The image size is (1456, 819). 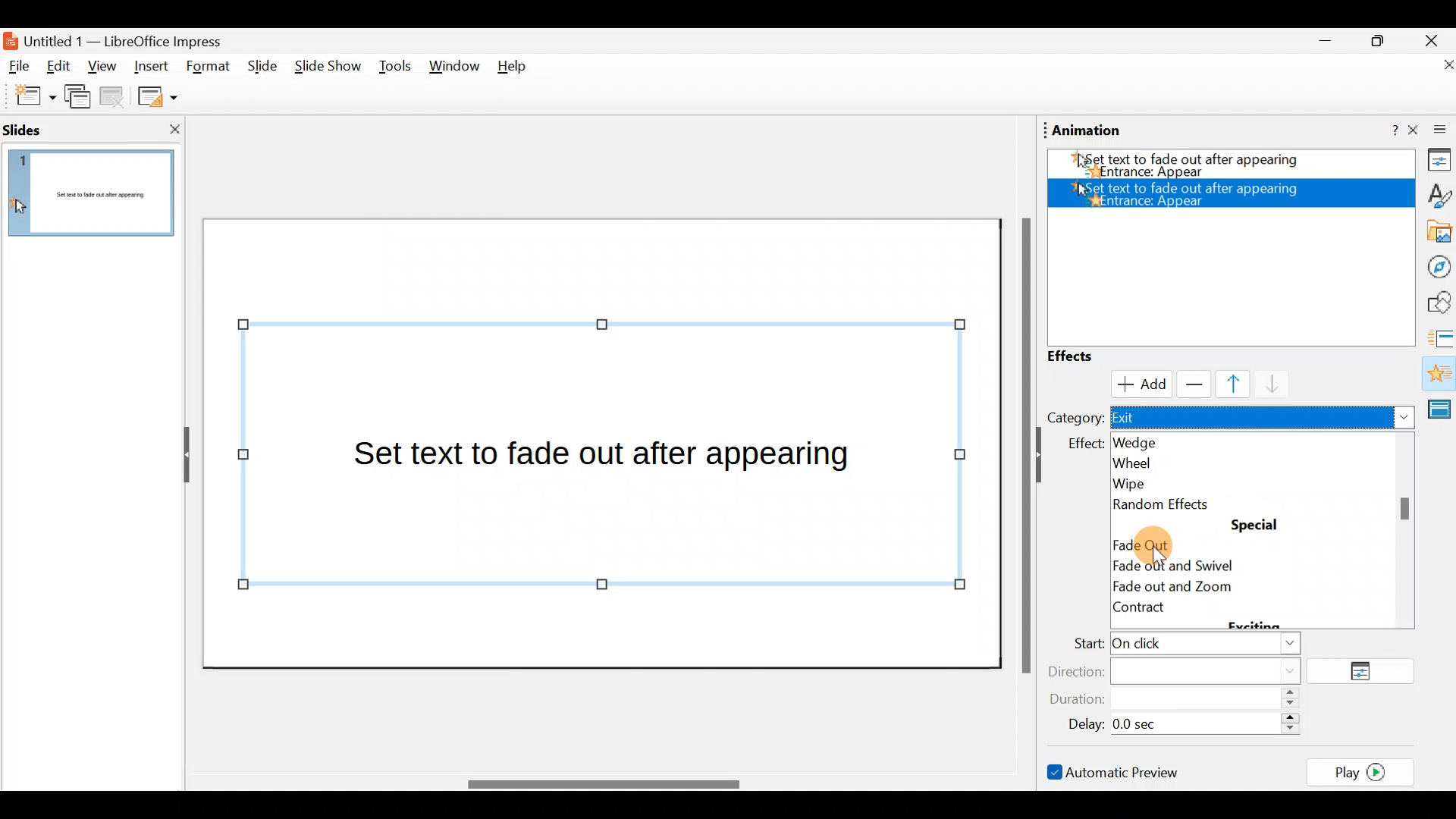 What do you see at coordinates (1169, 504) in the screenshot?
I see `Random effects` at bounding box center [1169, 504].